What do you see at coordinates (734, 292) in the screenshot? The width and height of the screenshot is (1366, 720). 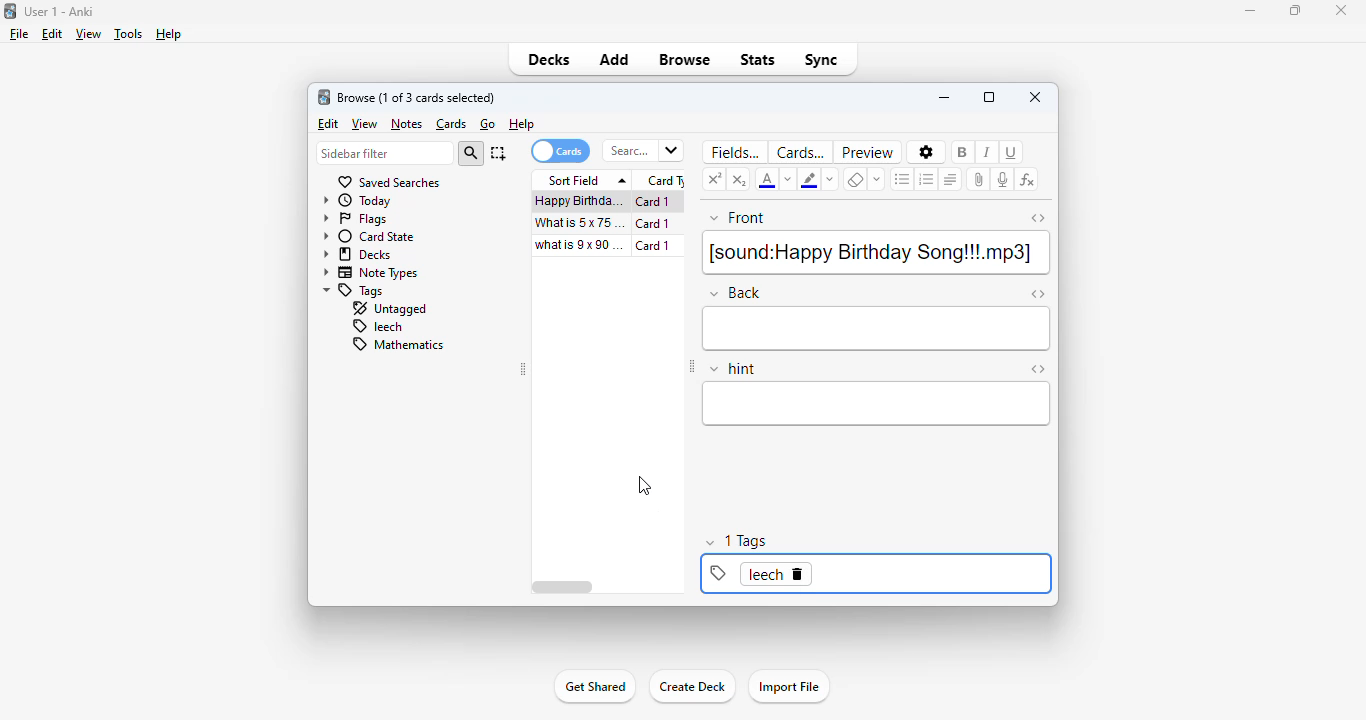 I see `back` at bounding box center [734, 292].